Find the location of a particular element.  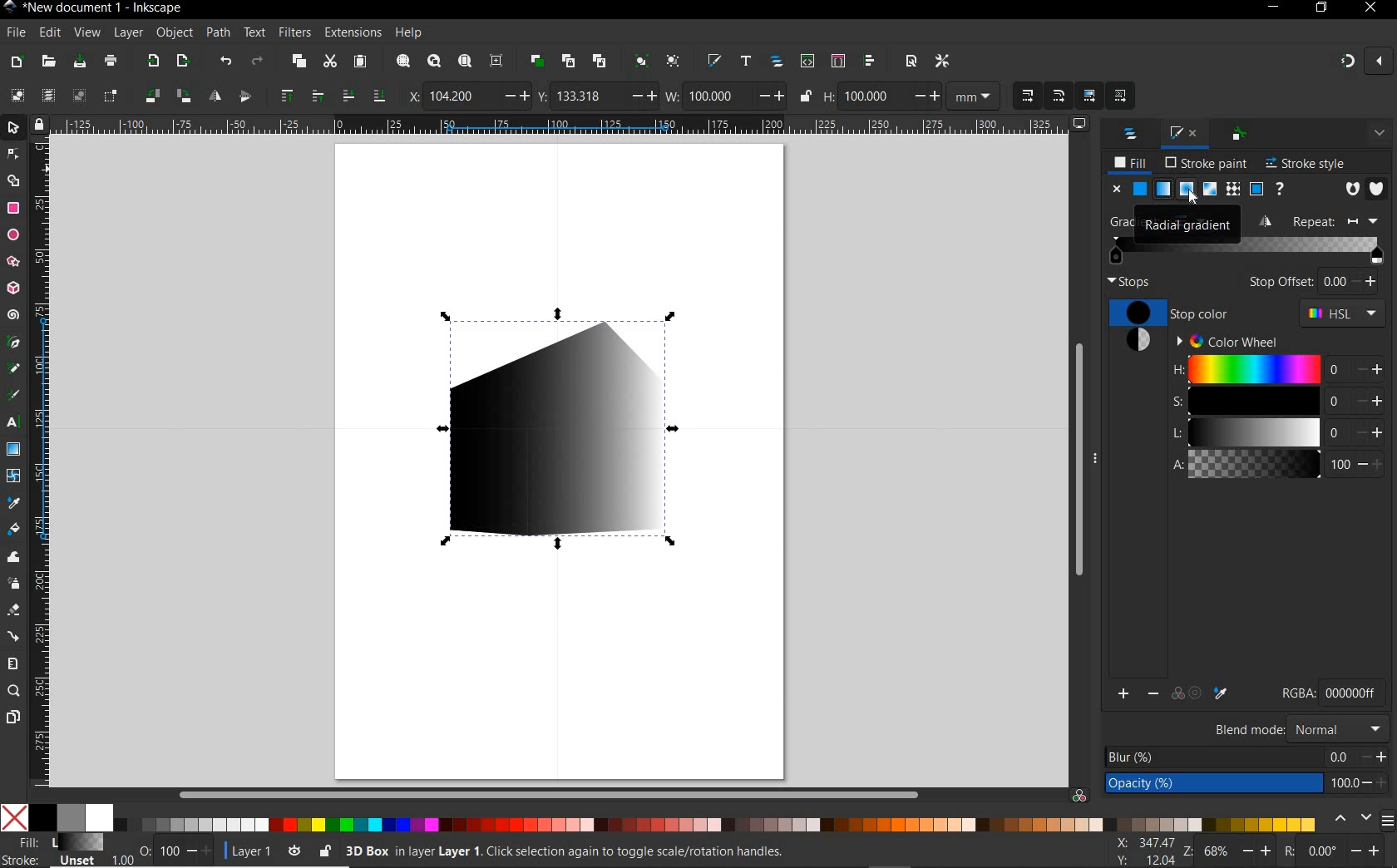

PEN TOOL is located at coordinates (12, 344).